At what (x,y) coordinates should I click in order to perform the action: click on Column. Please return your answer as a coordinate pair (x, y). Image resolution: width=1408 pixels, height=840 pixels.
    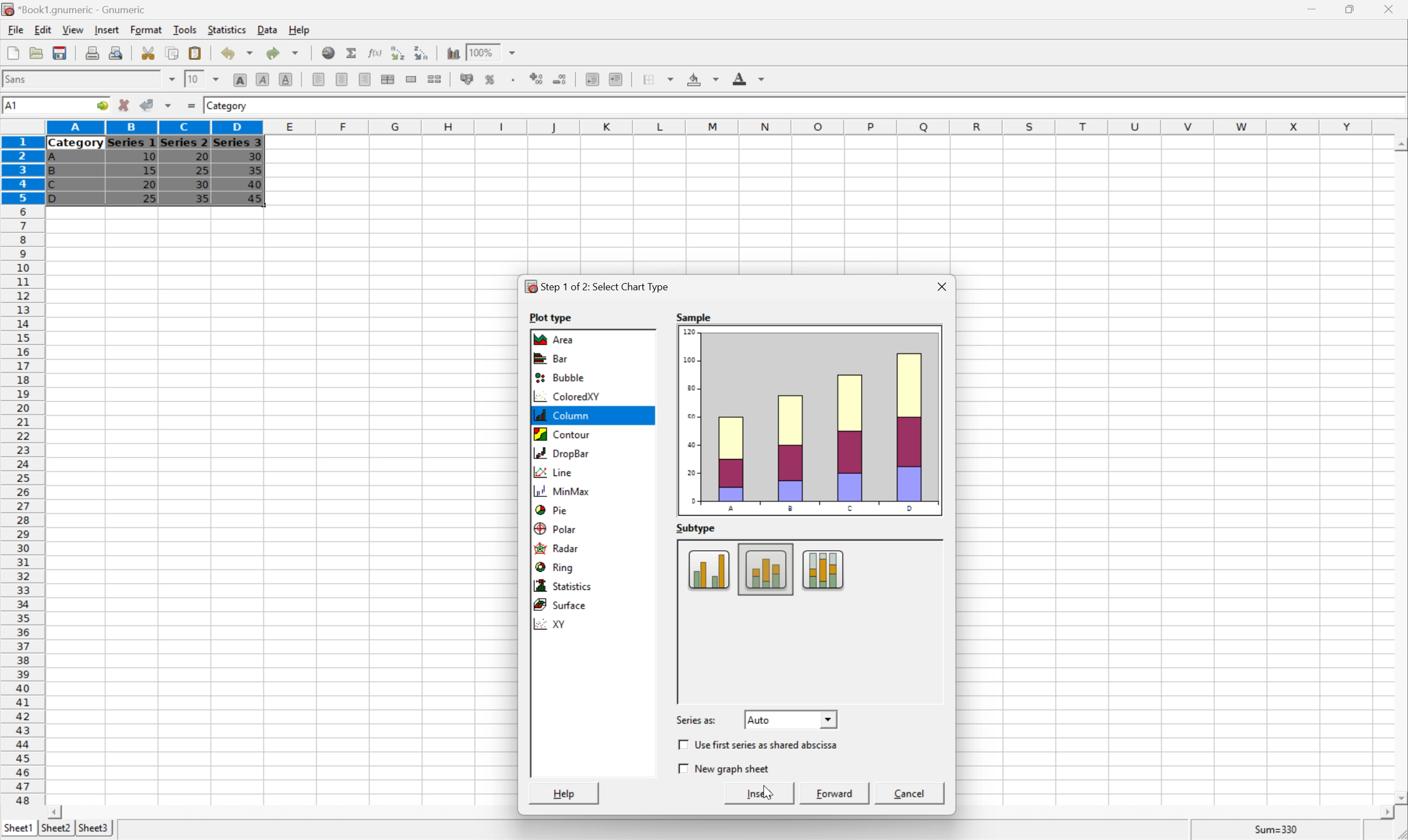
    Looking at the image, I should click on (563, 415).